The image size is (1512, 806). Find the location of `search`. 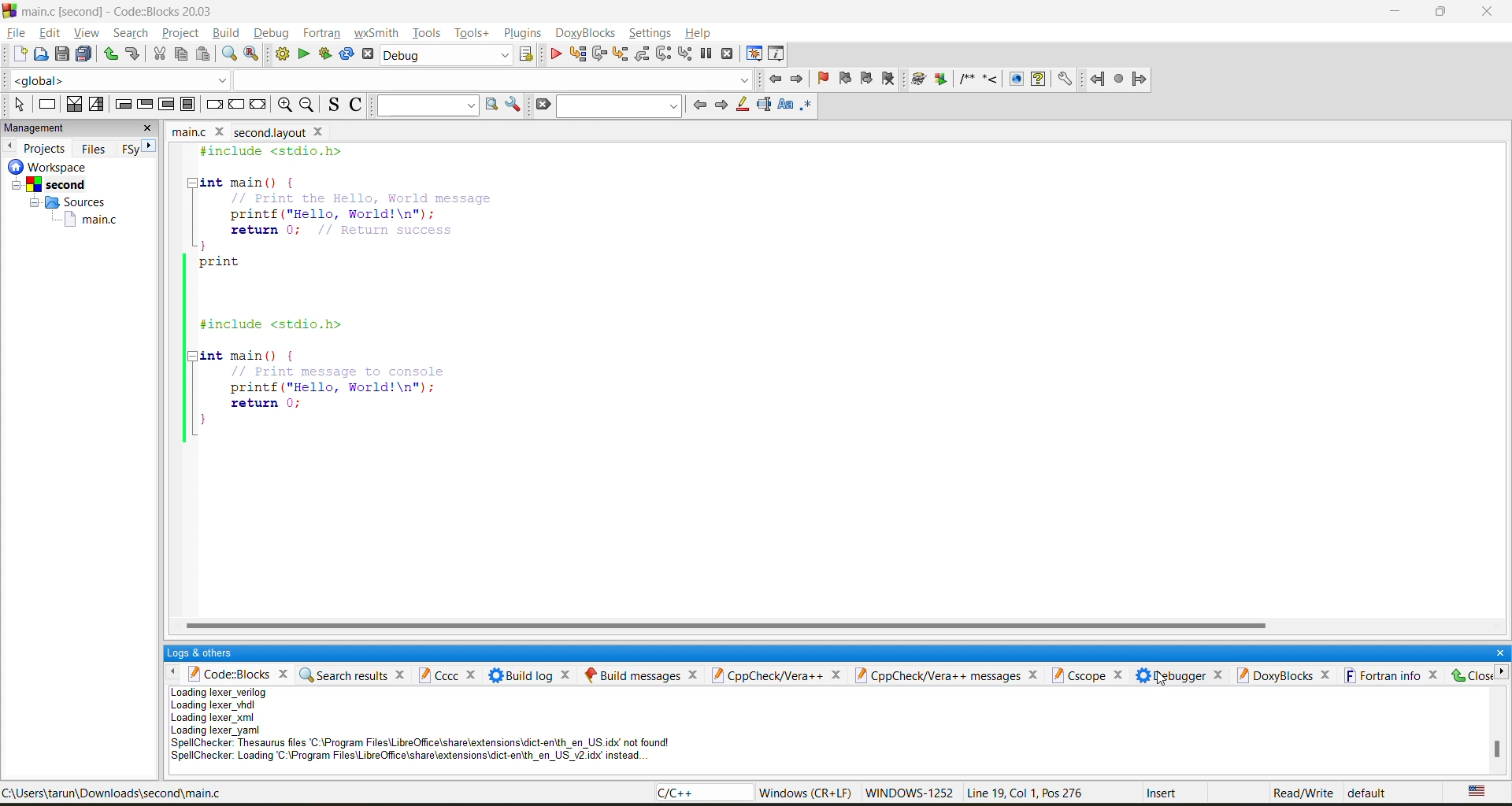

search is located at coordinates (135, 33).